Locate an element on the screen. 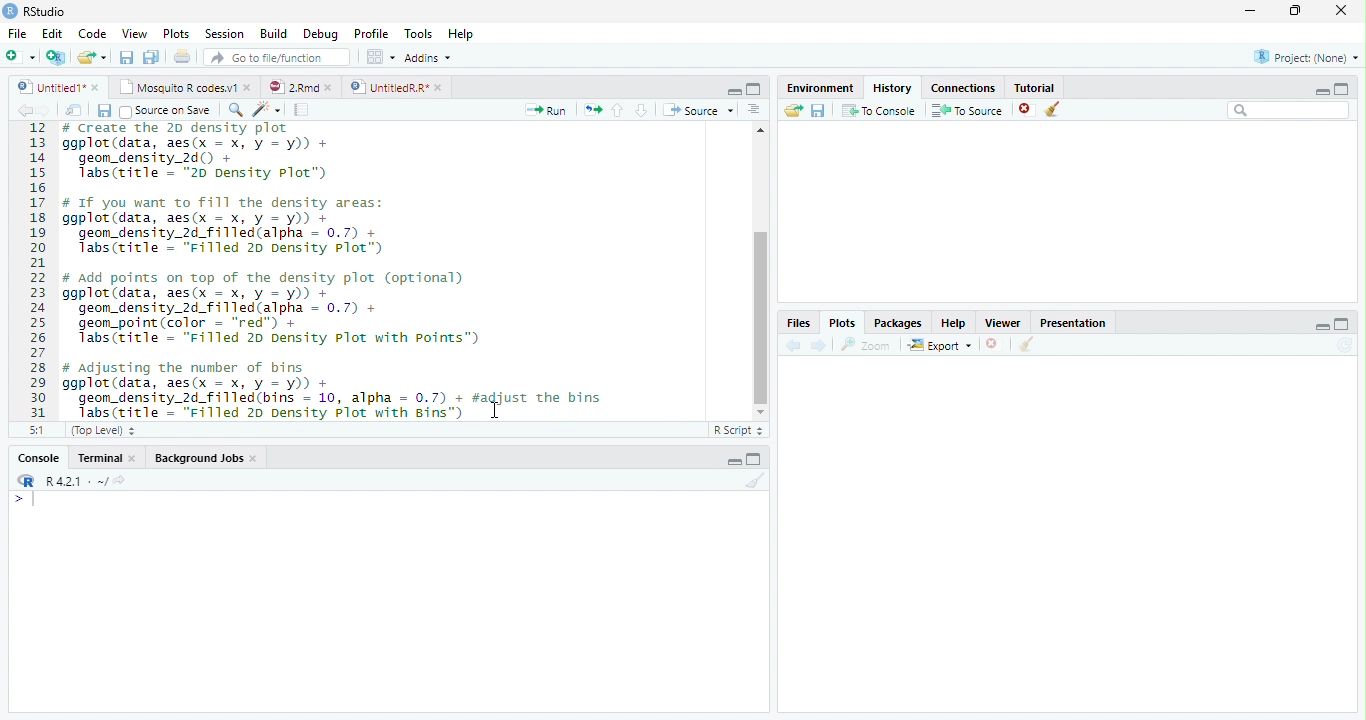 This screenshot has width=1366, height=720. Refresh is located at coordinates (1348, 345).